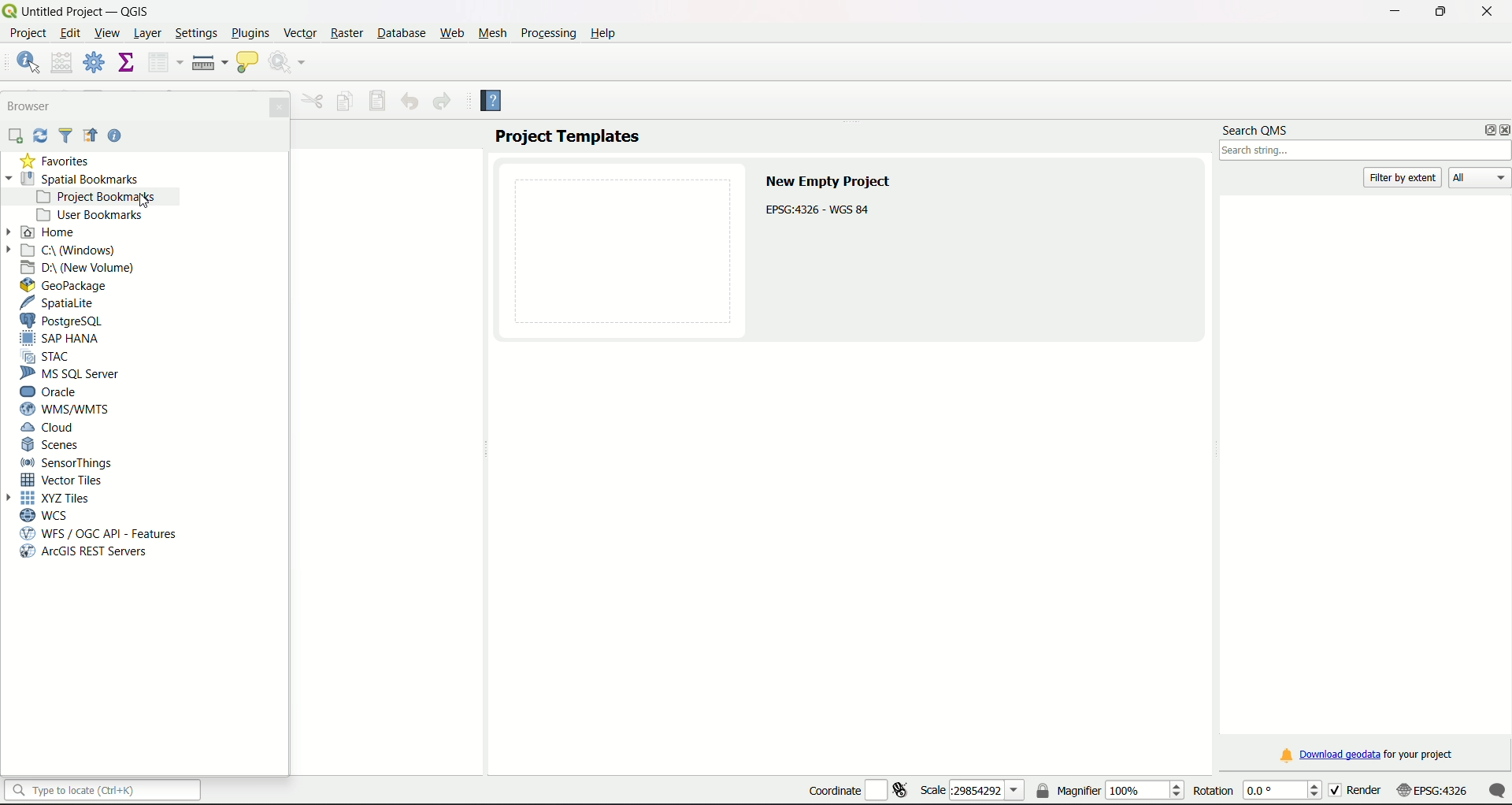  Describe the element at coordinates (1259, 790) in the screenshot. I see `rotation` at that location.